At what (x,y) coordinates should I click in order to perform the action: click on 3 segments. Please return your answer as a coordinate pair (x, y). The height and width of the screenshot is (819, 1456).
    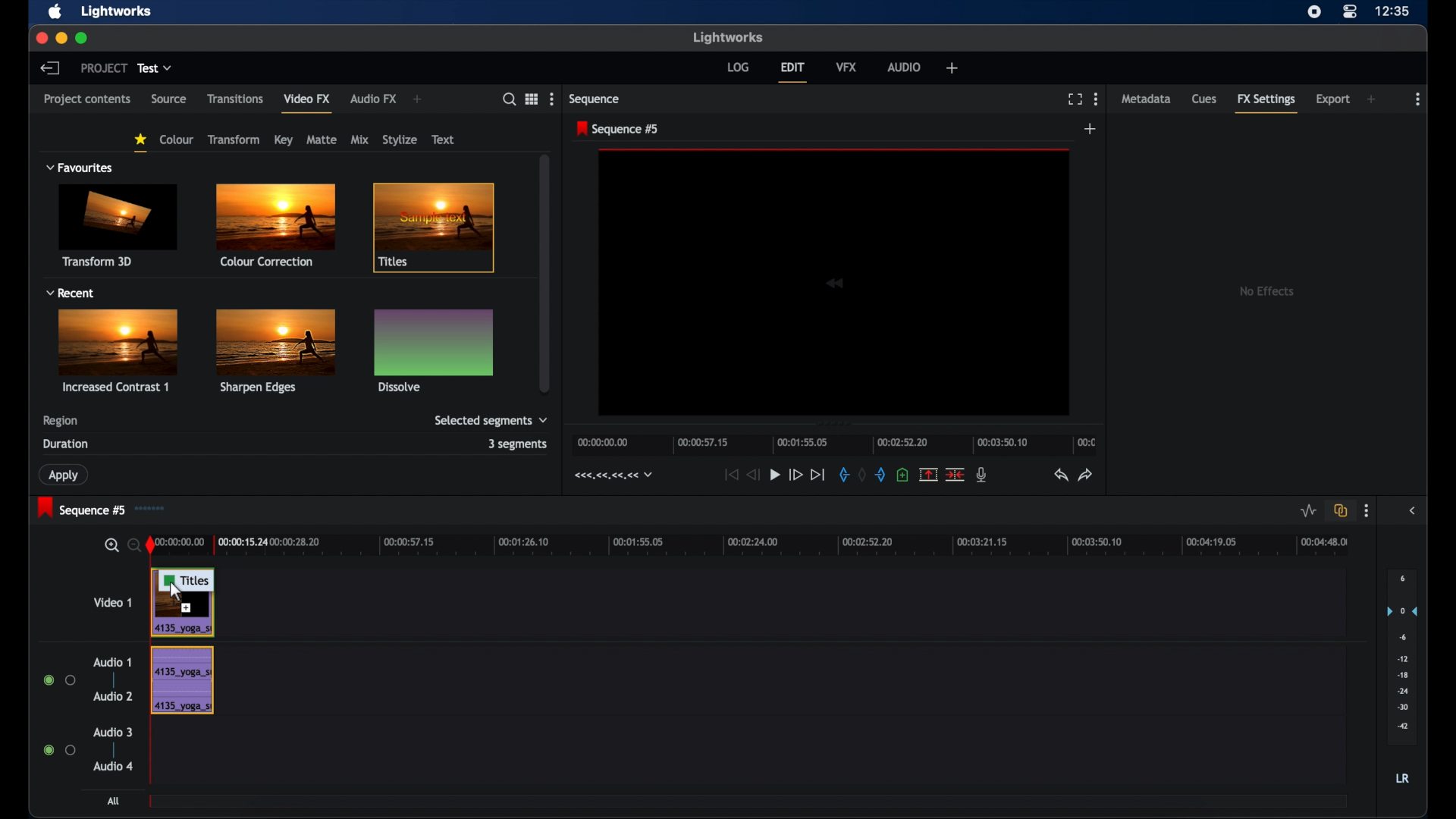
    Looking at the image, I should click on (518, 444).